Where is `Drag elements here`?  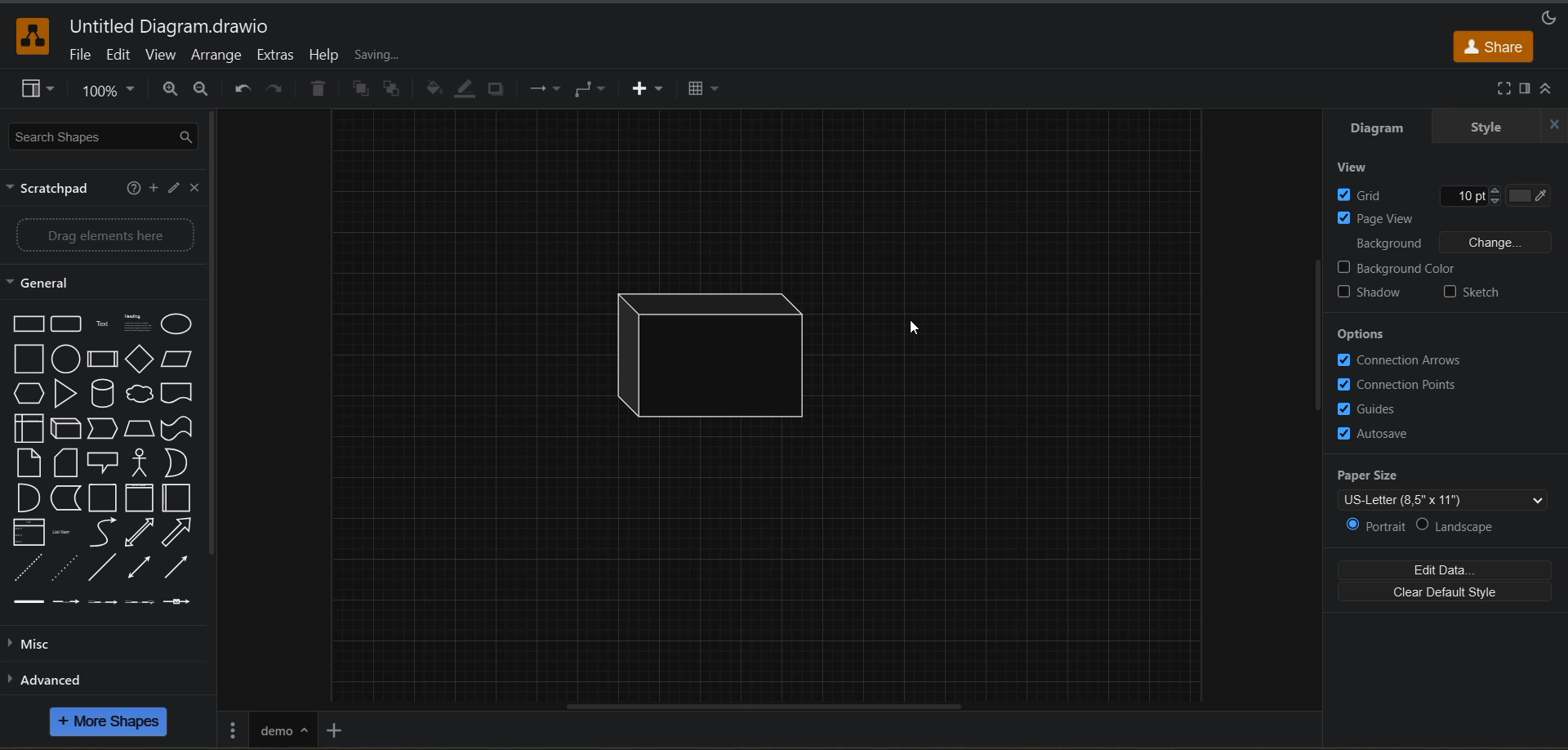 Drag elements here is located at coordinates (106, 234).